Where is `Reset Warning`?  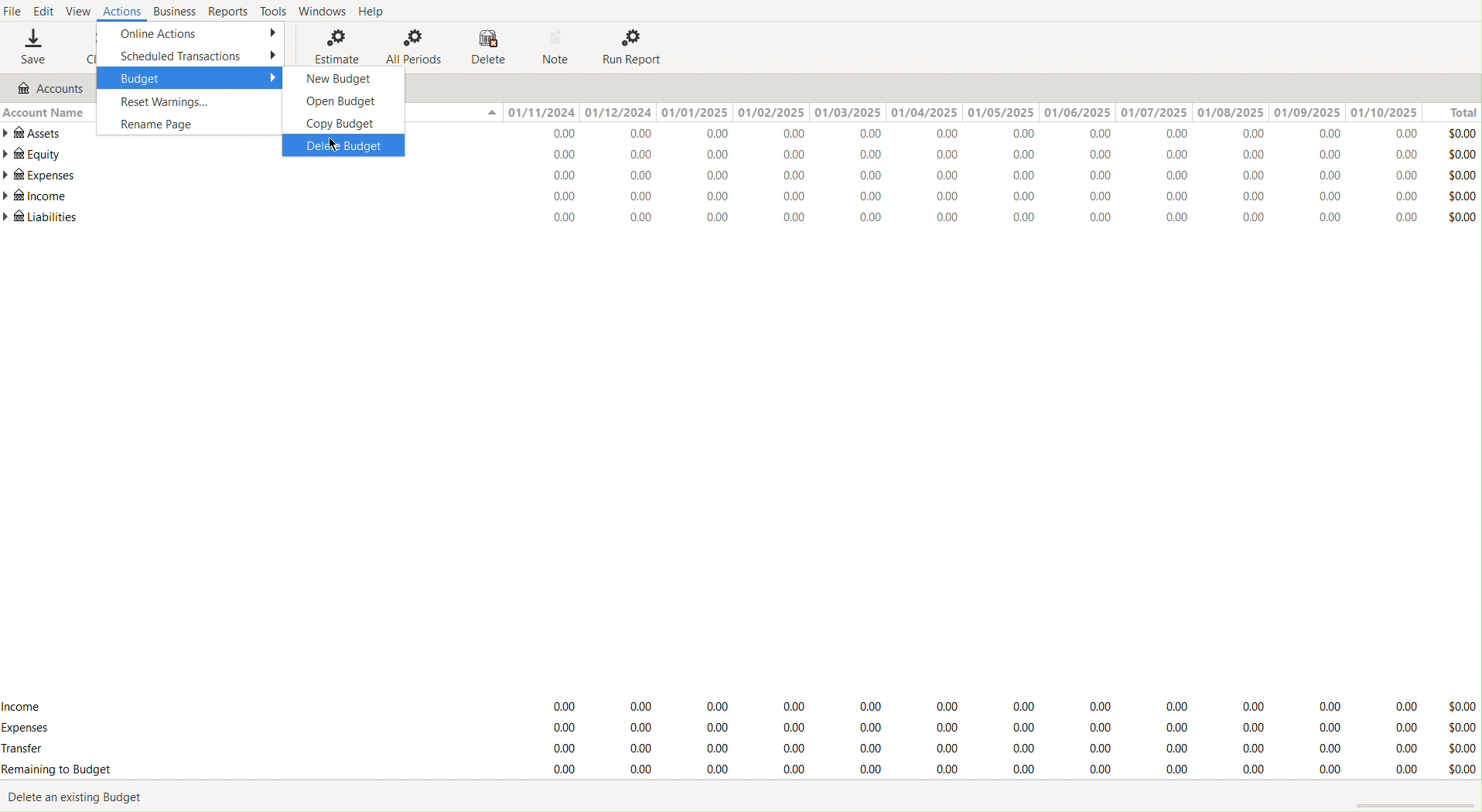 Reset Warning is located at coordinates (192, 104).